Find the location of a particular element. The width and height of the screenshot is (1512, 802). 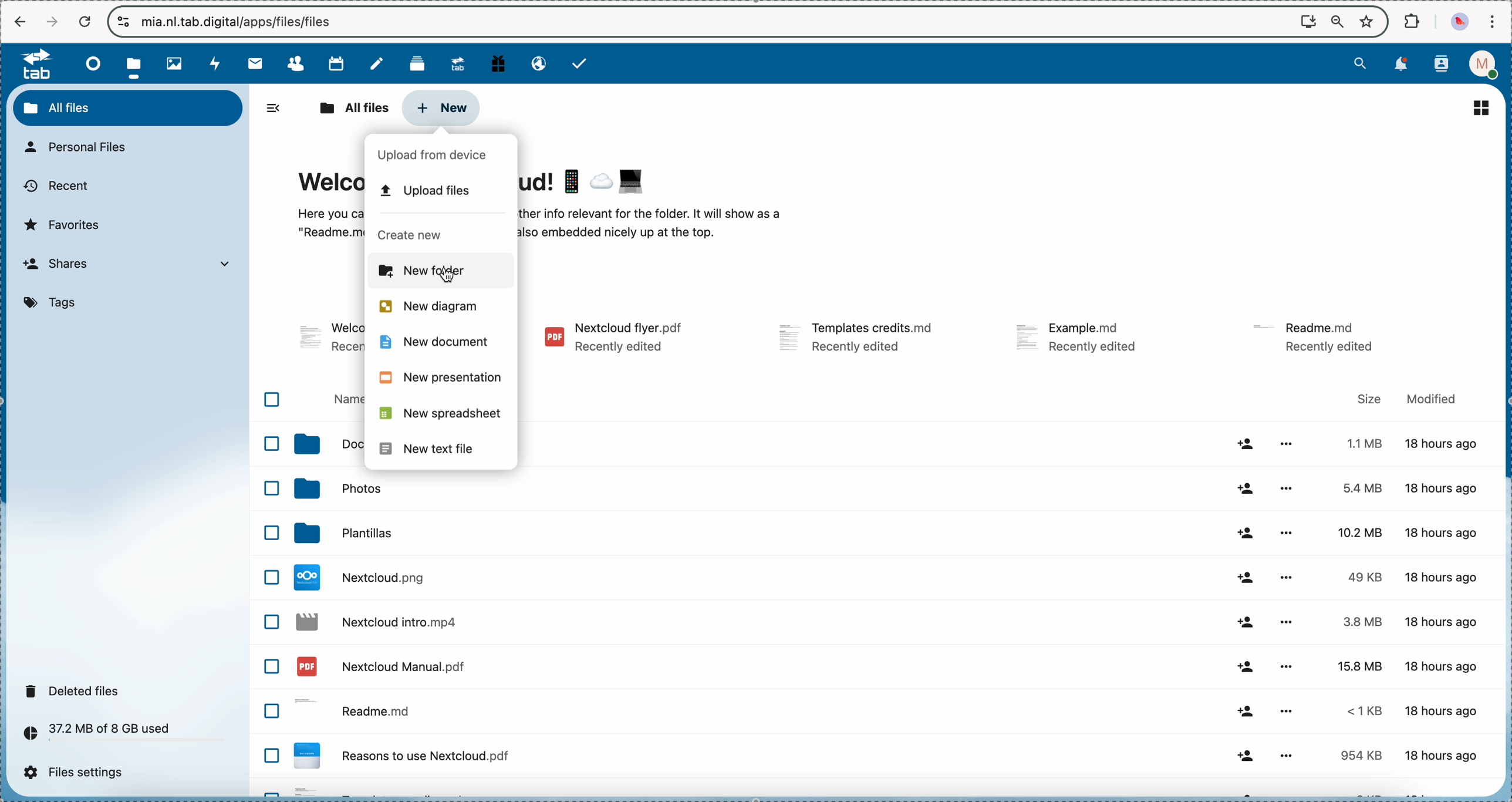

file is located at coordinates (864, 338).